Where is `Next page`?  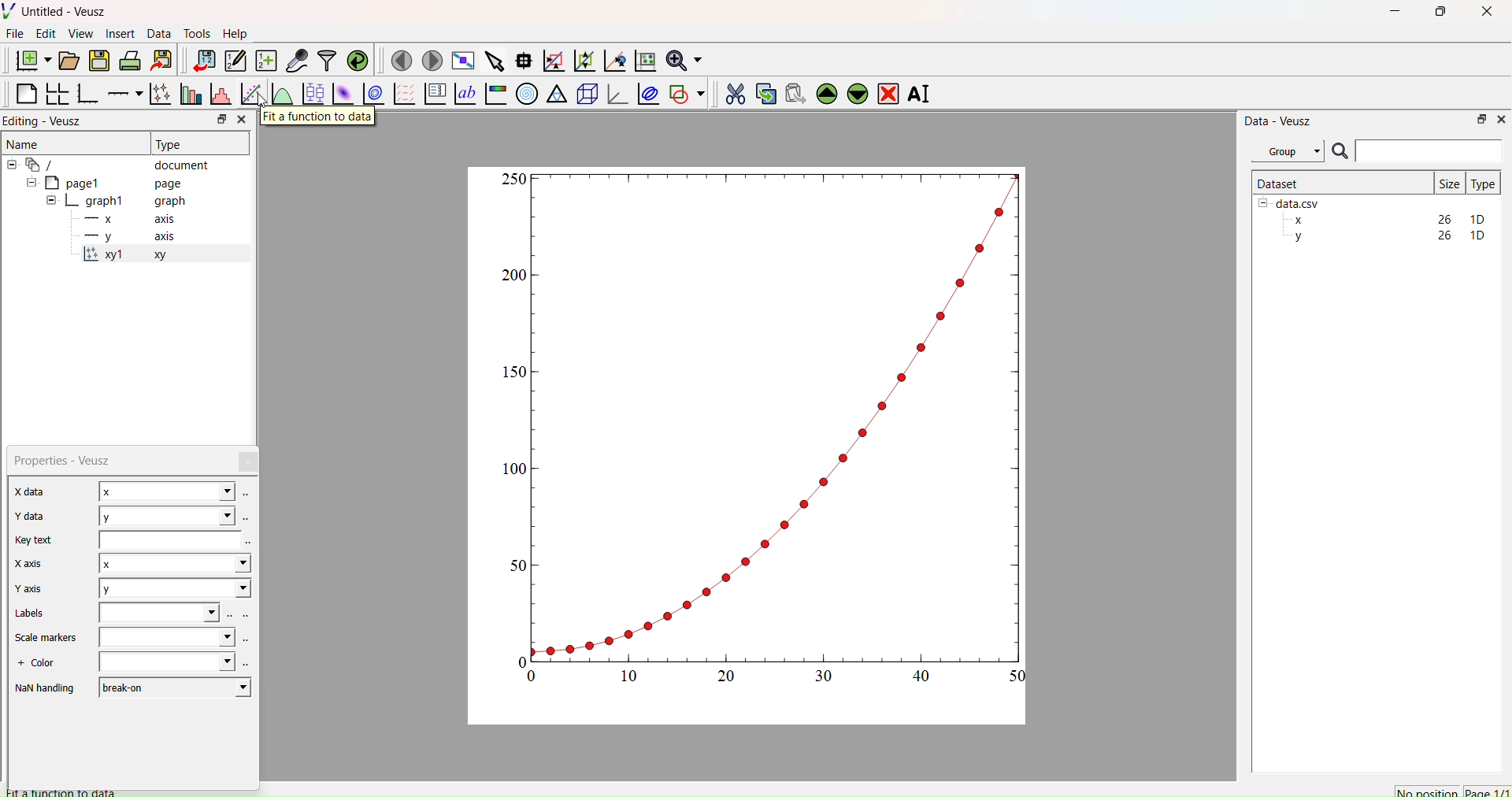 Next page is located at coordinates (428, 61).